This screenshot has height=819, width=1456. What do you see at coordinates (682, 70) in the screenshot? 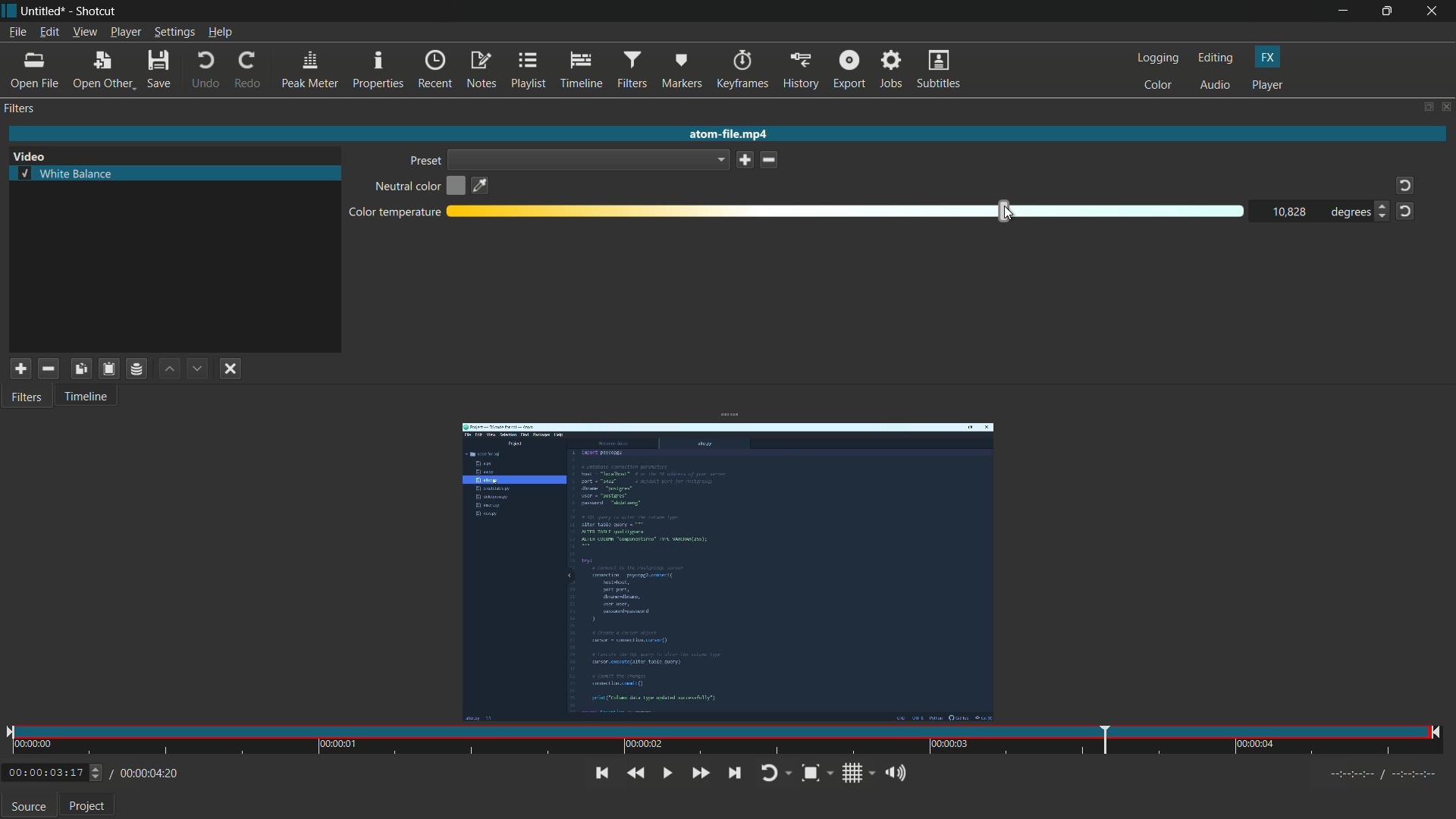
I see `markers` at bounding box center [682, 70].